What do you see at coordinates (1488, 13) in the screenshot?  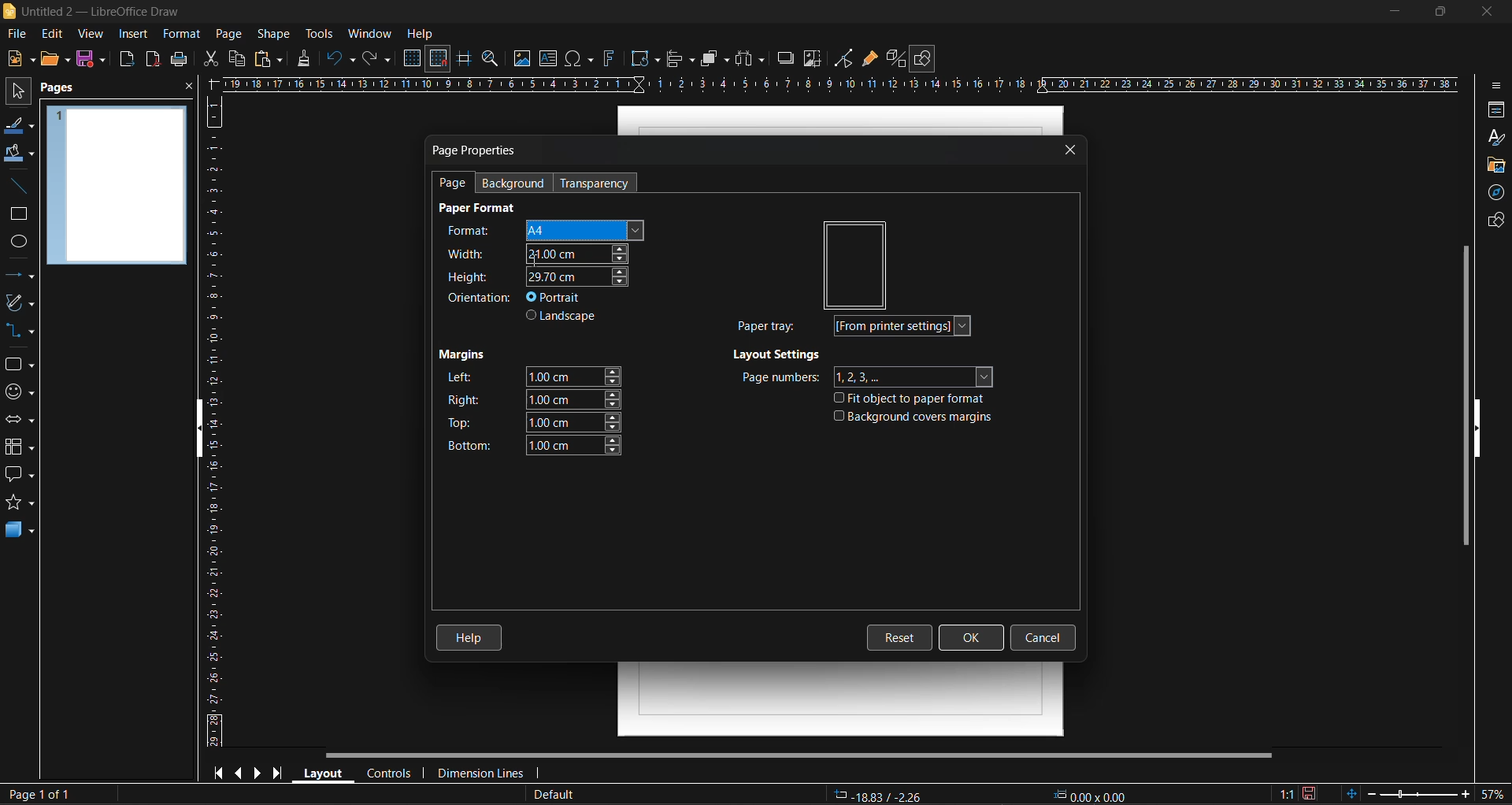 I see `close` at bounding box center [1488, 13].